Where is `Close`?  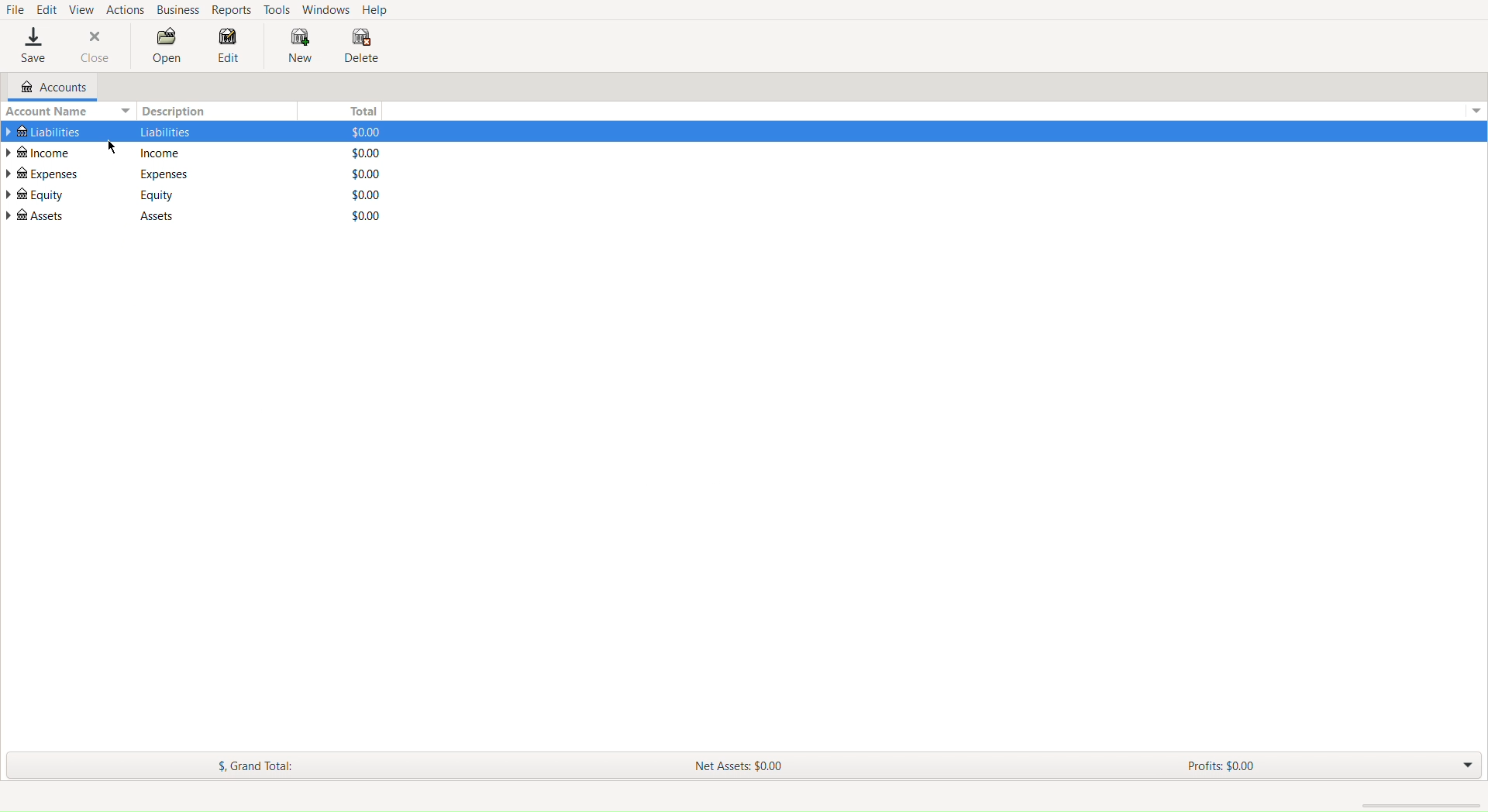 Close is located at coordinates (92, 47).